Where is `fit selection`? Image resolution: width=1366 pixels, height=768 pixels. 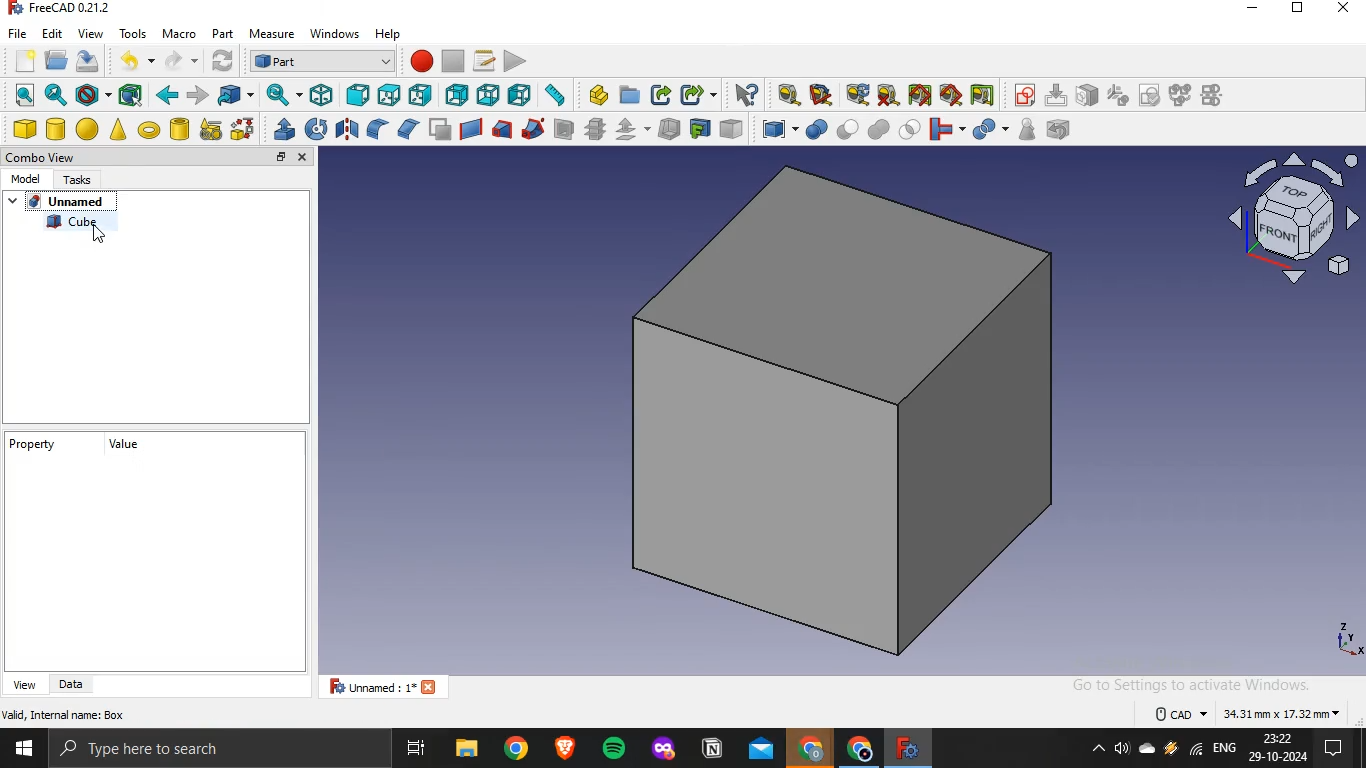 fit selection is located at coordinates (55, 95).